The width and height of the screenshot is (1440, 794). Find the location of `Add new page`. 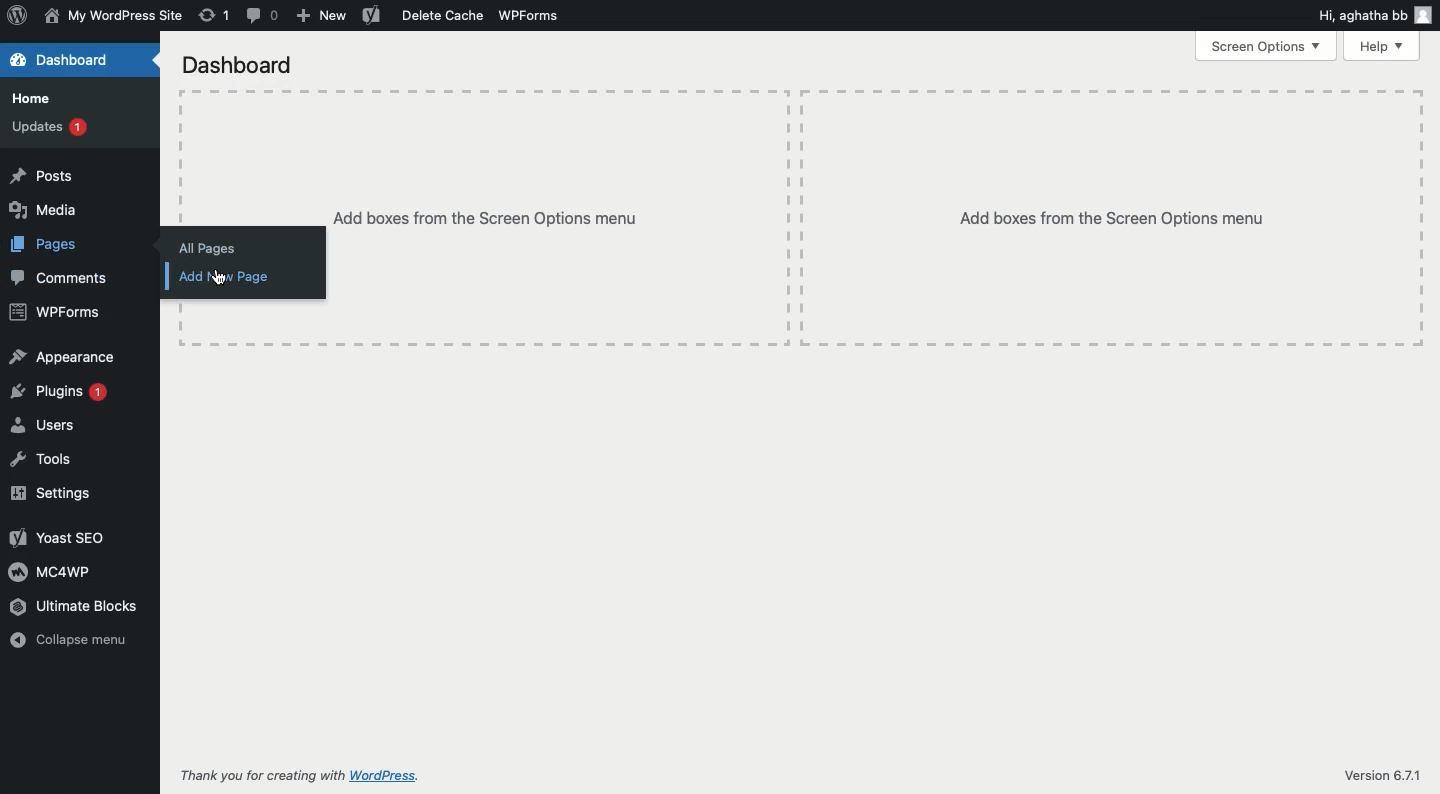

Add new page is located at coordinates (222, 277).